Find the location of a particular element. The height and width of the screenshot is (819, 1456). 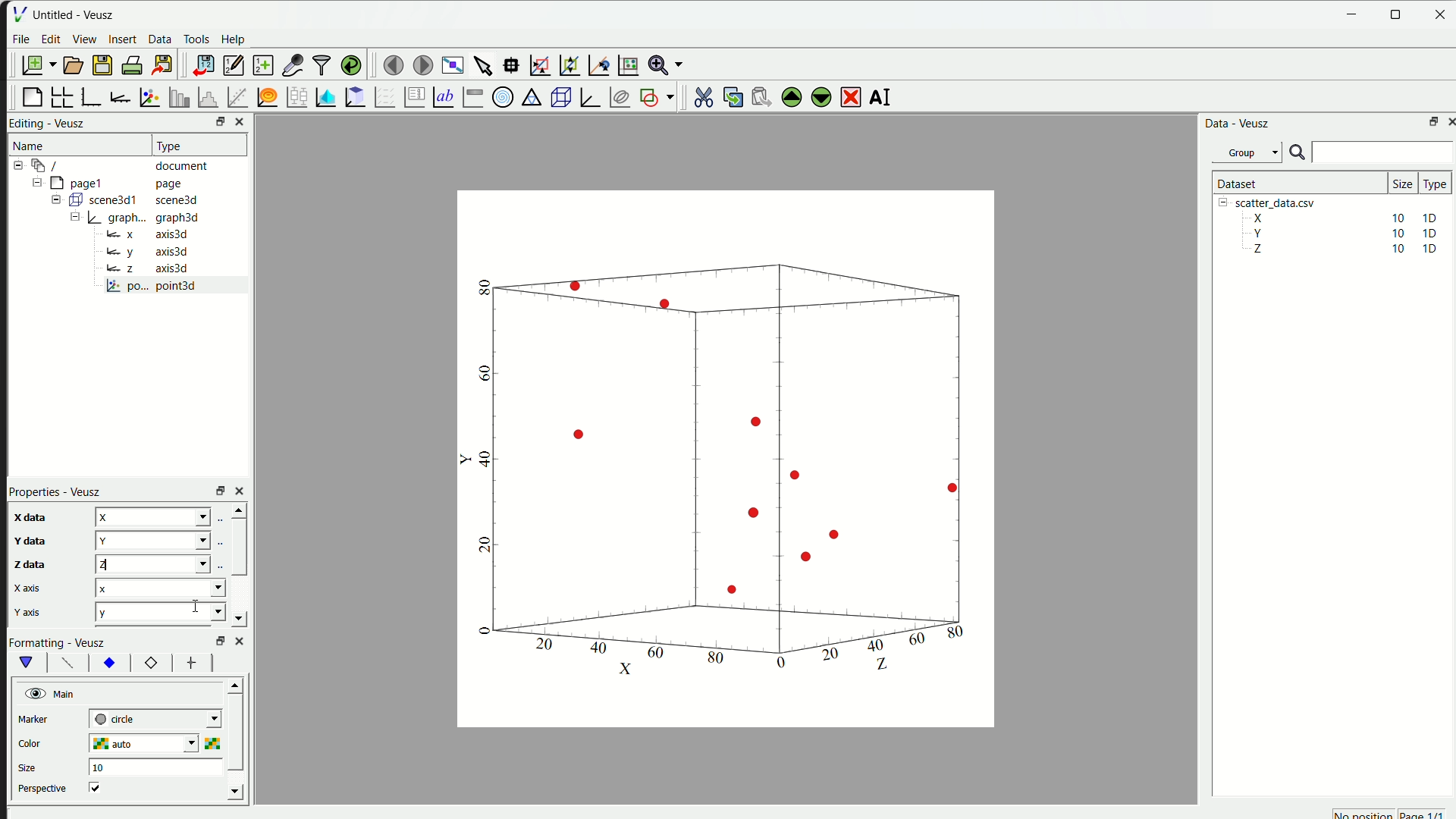

search icon is located at coordinates (1298, 152).